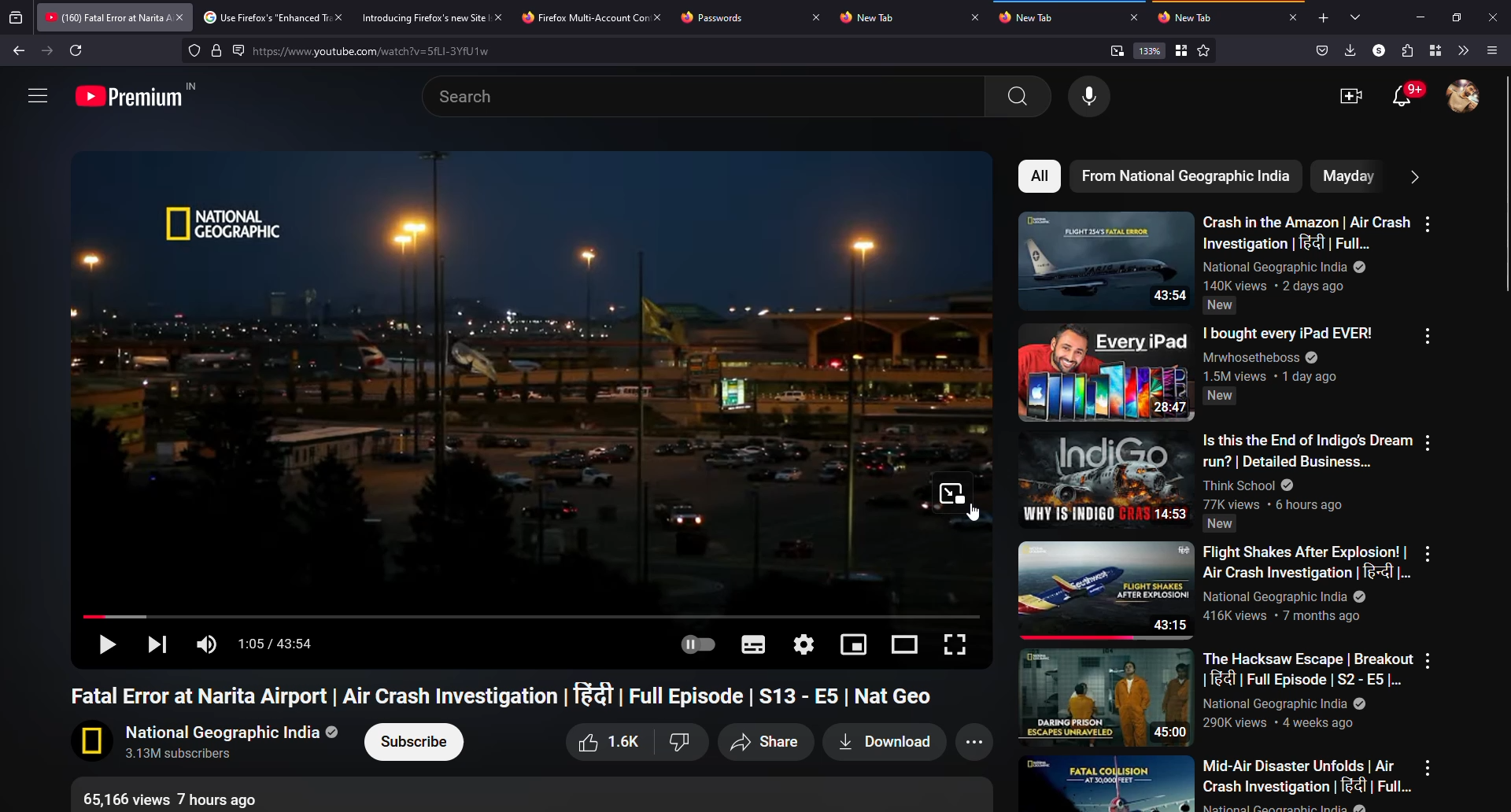  Describe the element at coordinates (1203, 51) in the screenshot. I see `favorite` at that location.